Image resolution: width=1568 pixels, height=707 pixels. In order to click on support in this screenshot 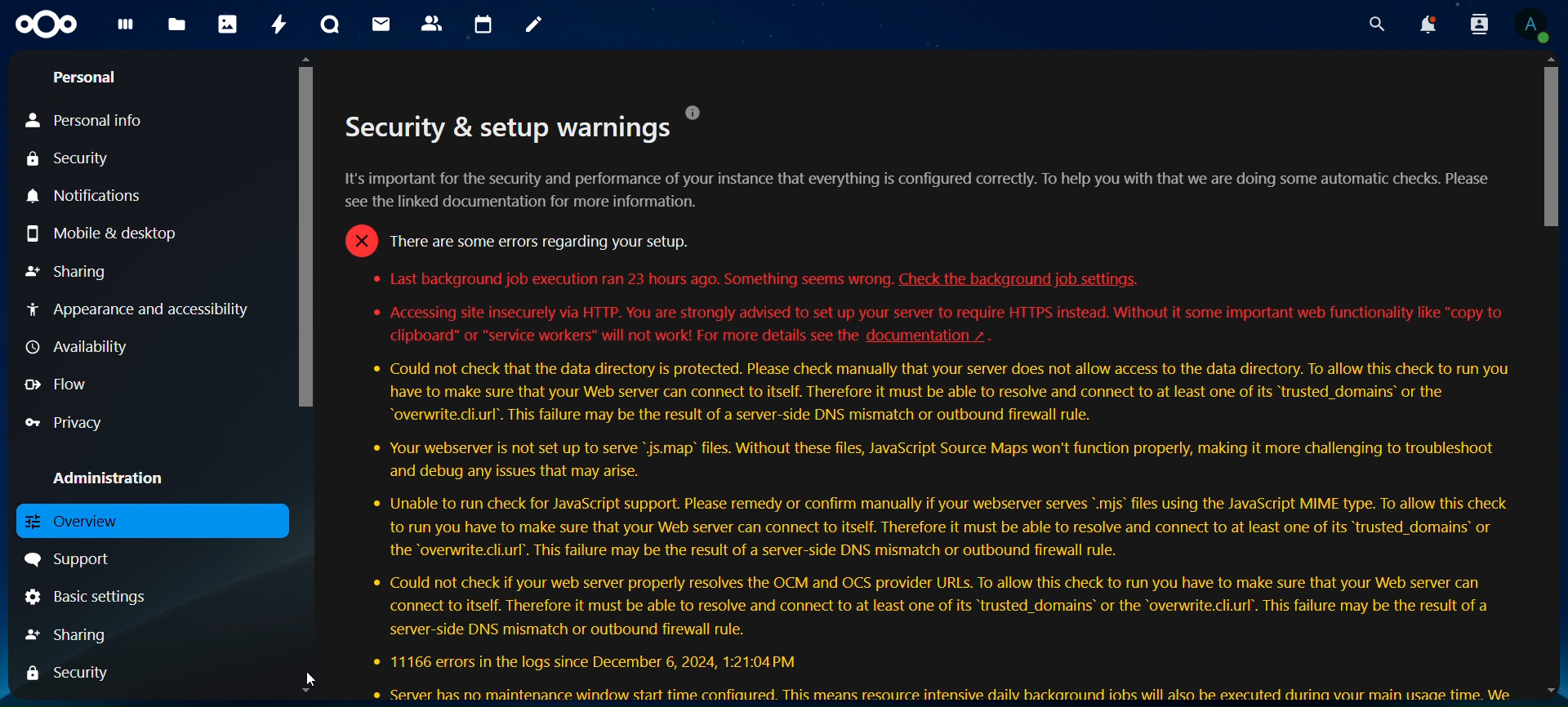, I will do `click(73, 558)`.